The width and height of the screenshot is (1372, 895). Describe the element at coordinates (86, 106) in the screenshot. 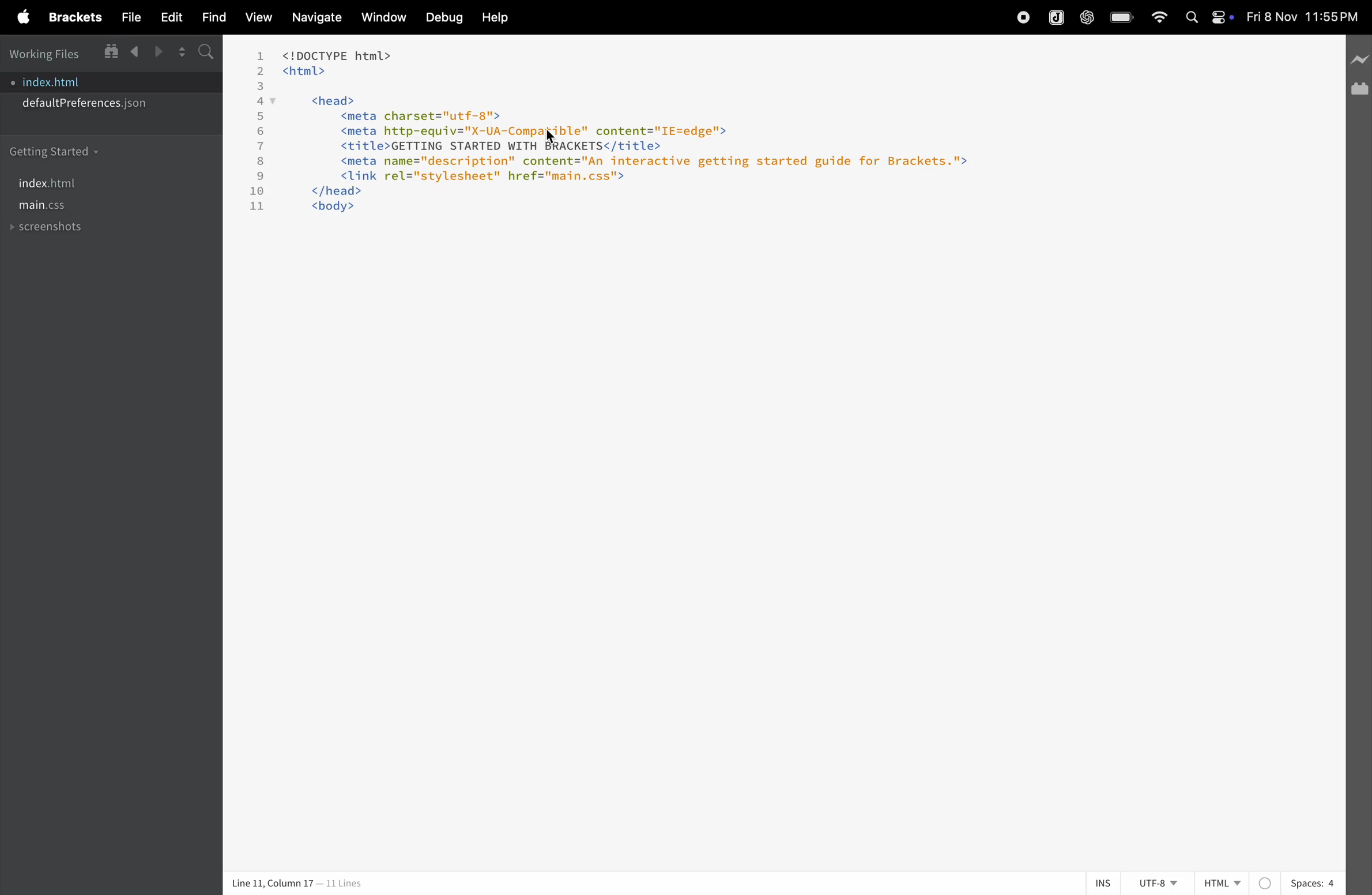

I see `defaultprefrences.json` at that location.